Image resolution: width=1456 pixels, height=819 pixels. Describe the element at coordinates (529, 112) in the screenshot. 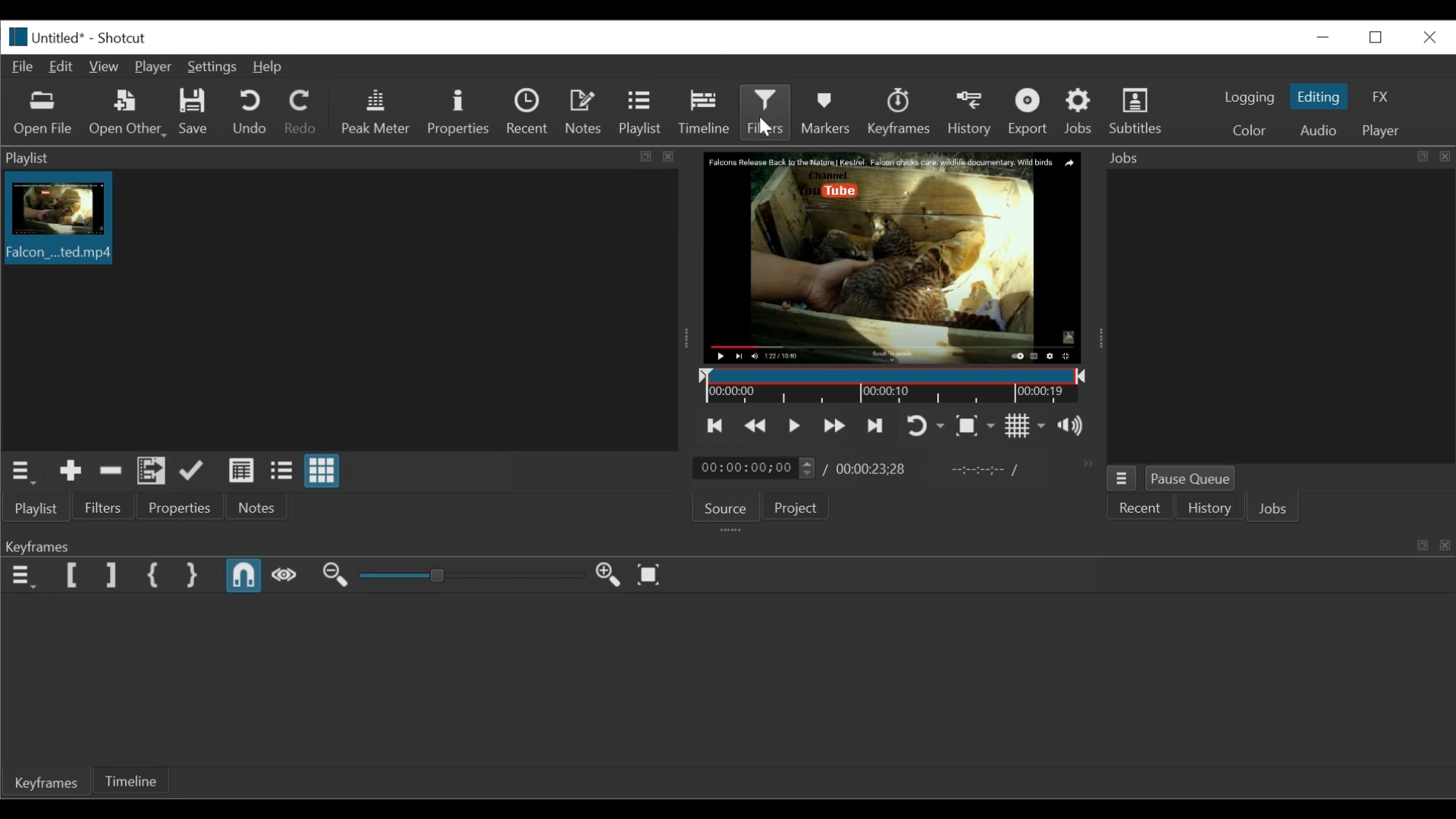

I see `Recent` at that location.